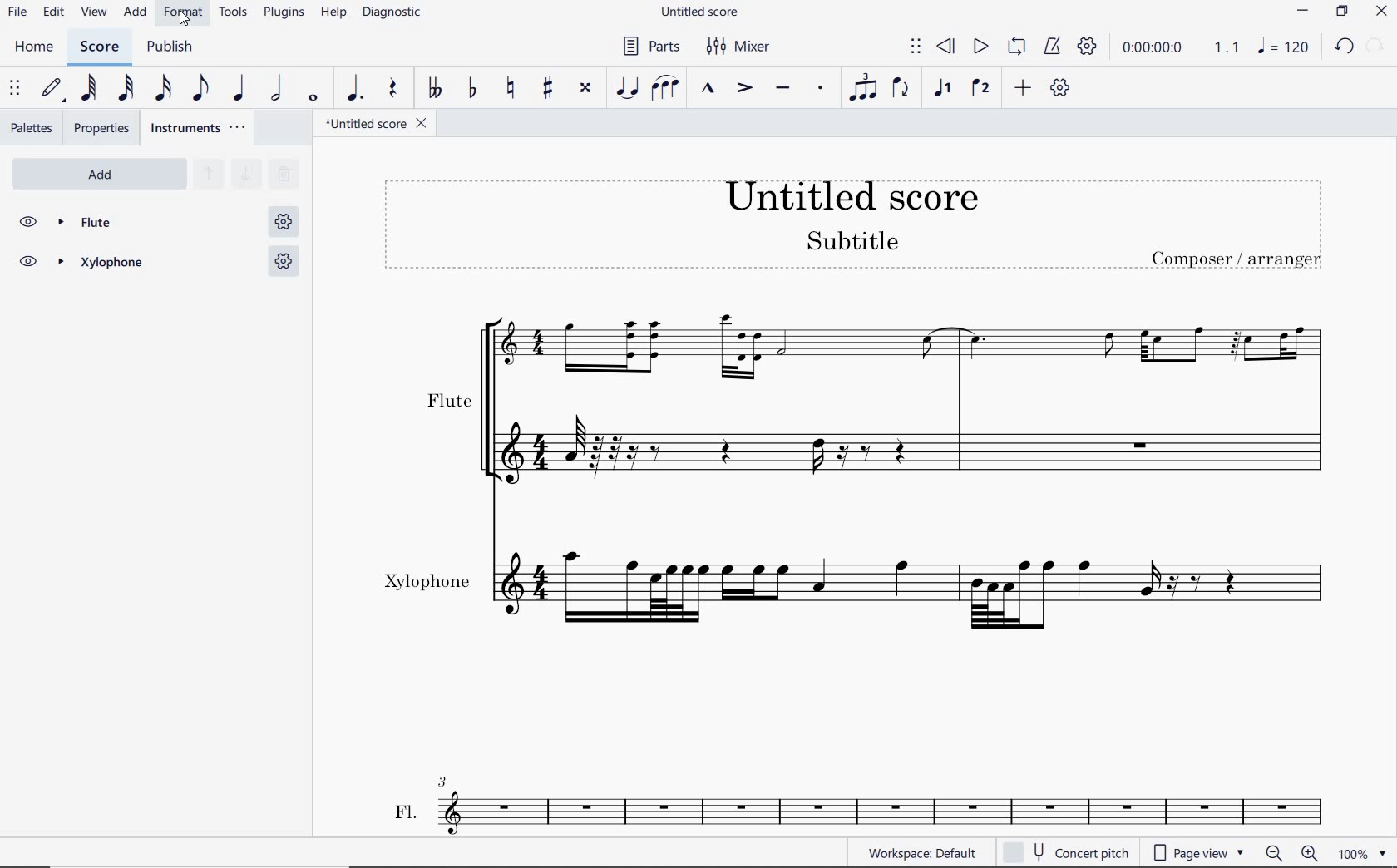 This screenshot has height=868, width=1397. What do you see at coordinates (136, 12) in the screenshot?
I see `ADD` at bounding box center [136, 12].